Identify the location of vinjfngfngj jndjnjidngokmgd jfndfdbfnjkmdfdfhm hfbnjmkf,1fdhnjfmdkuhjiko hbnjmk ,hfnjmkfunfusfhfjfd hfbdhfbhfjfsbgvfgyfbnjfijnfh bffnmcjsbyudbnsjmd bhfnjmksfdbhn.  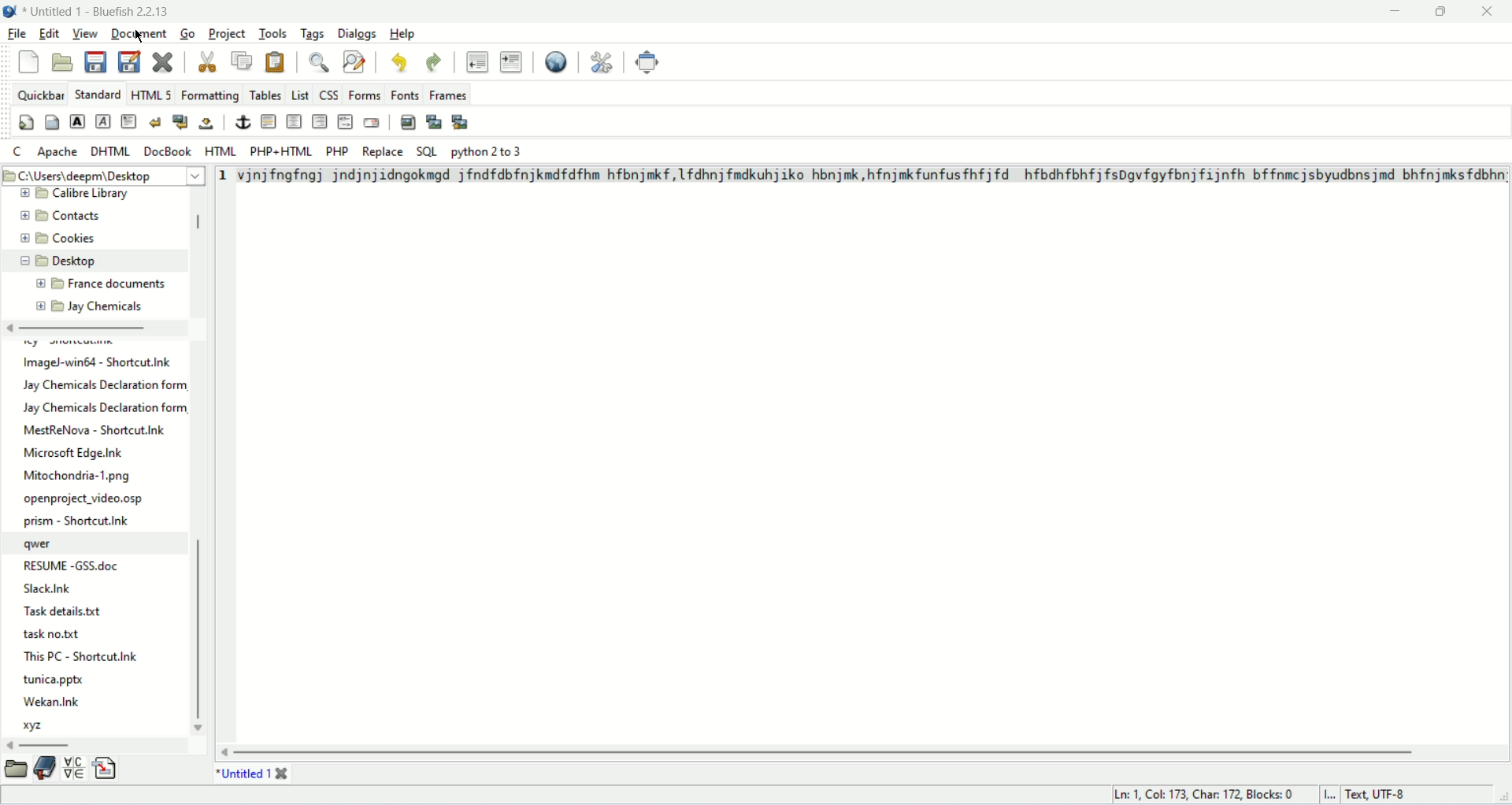
(869, 176).